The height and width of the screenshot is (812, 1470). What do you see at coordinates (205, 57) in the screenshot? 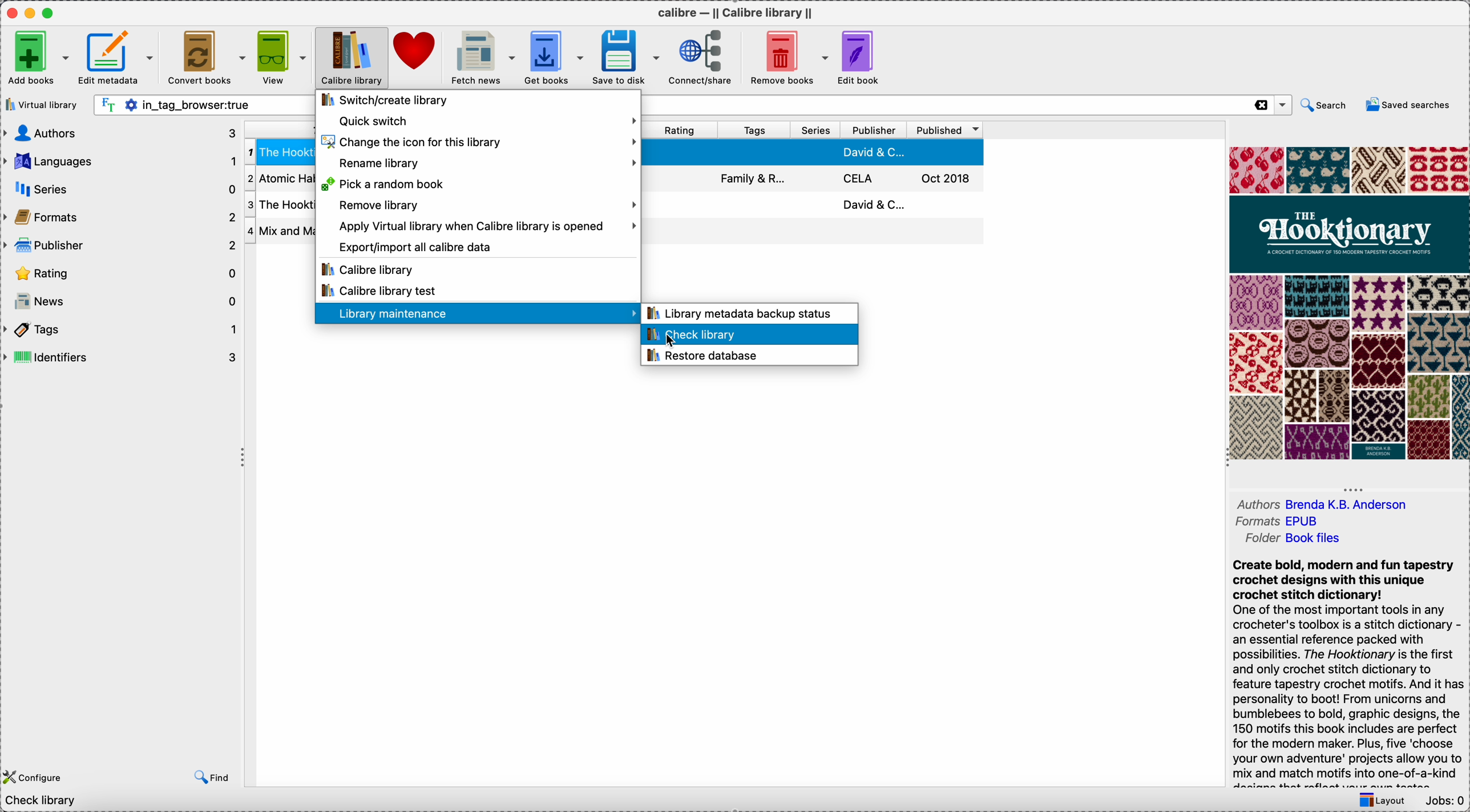
I see `convert books` at bounding box center [205, 57].